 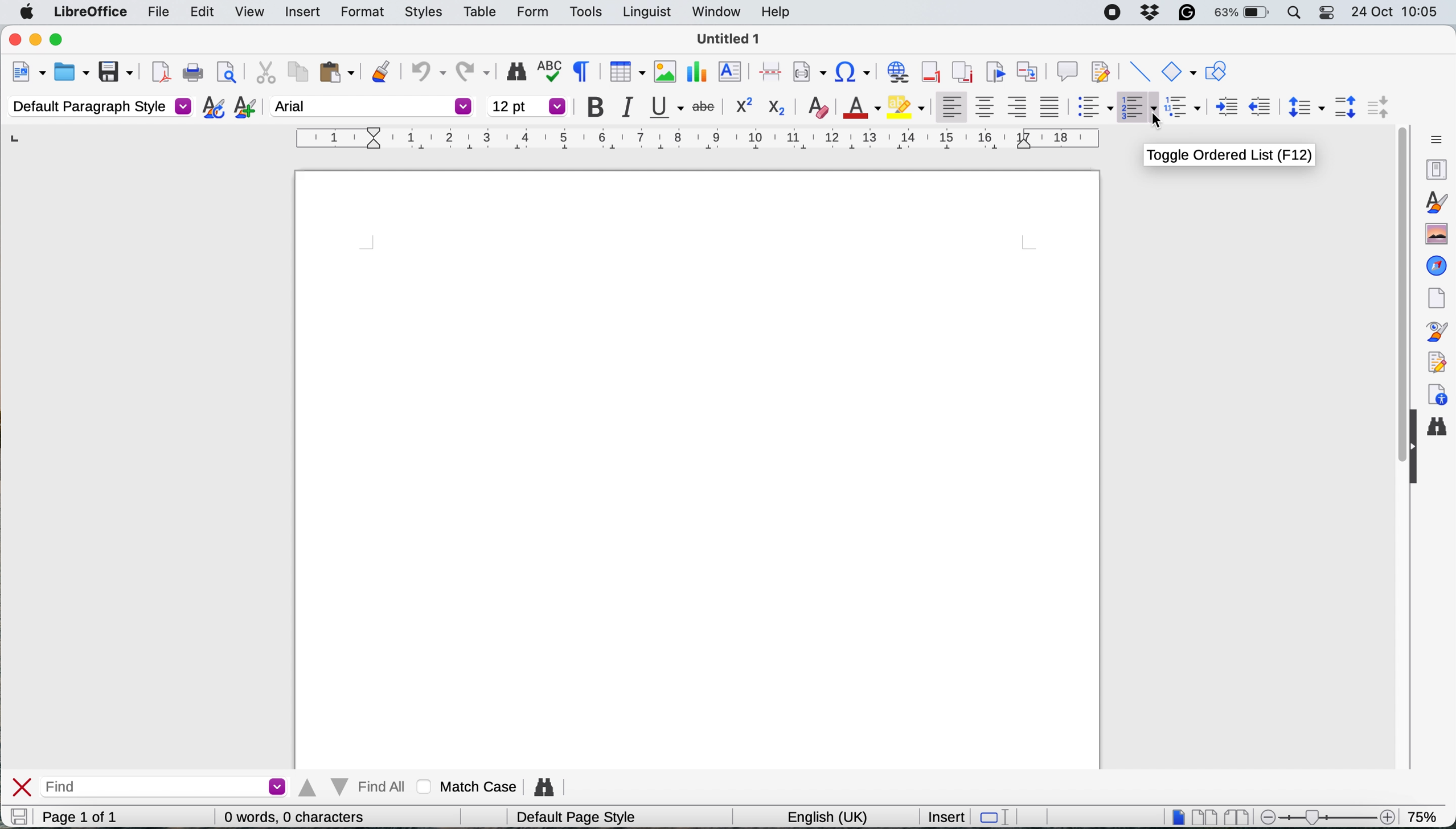 What do you see at coordinates (89, 12) in the screenshot?
I see `libre office` at bounding box center [89, 12].